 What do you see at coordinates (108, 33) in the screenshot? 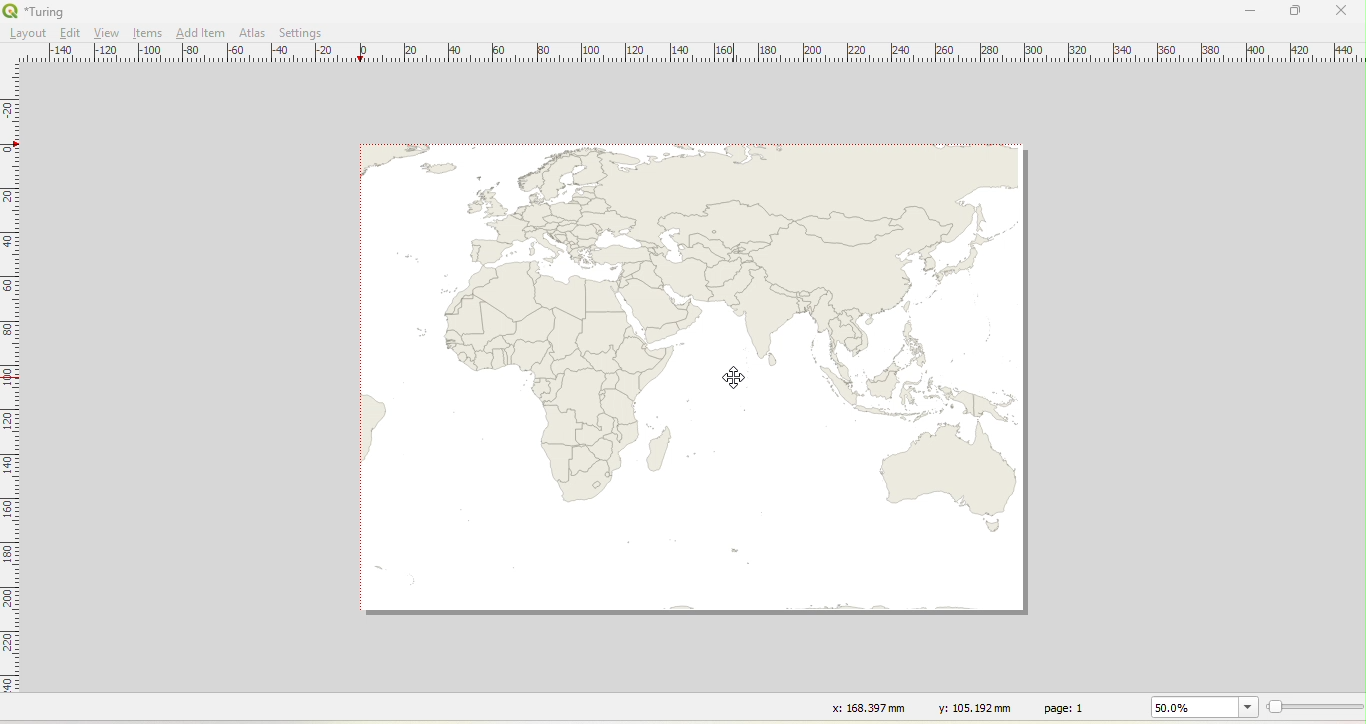
I see `View` at bounding box center [108, 33].